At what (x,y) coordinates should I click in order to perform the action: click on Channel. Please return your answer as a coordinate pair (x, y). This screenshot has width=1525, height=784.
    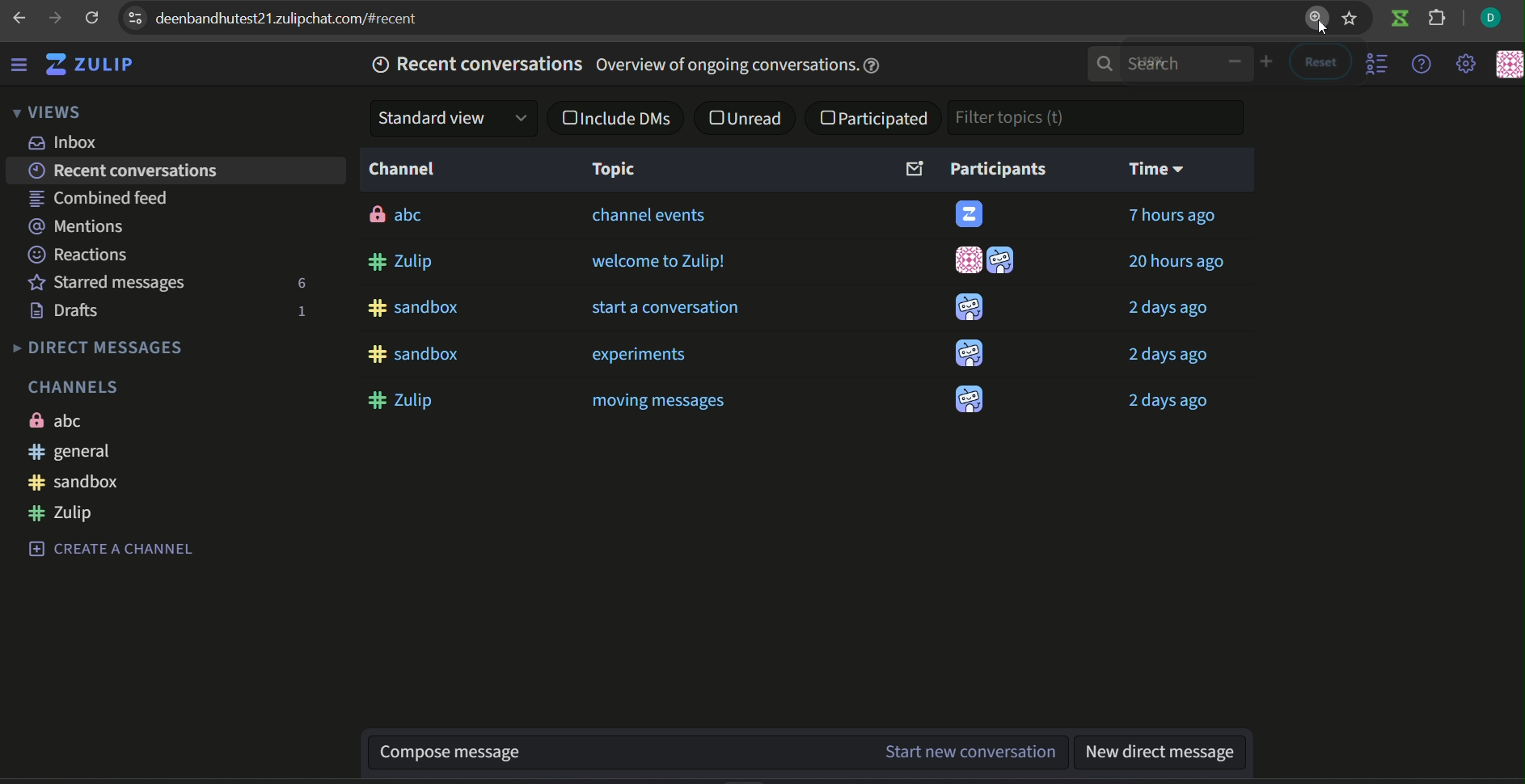
    Looking at the image, I should click on (405, 170).